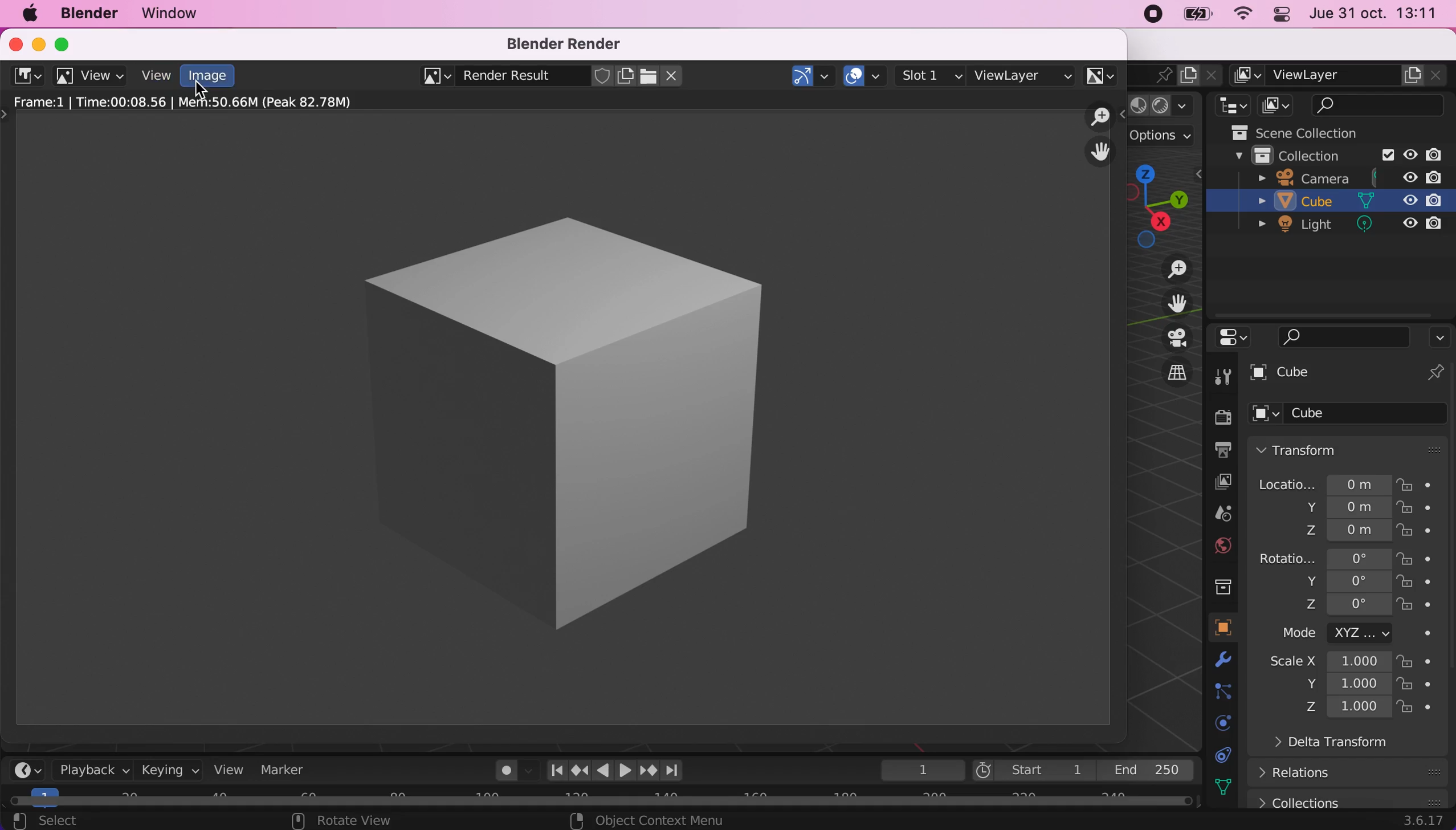 This screenshot has width=1456, height=830. I want to click on 3.6.17, so click(1420, 822).